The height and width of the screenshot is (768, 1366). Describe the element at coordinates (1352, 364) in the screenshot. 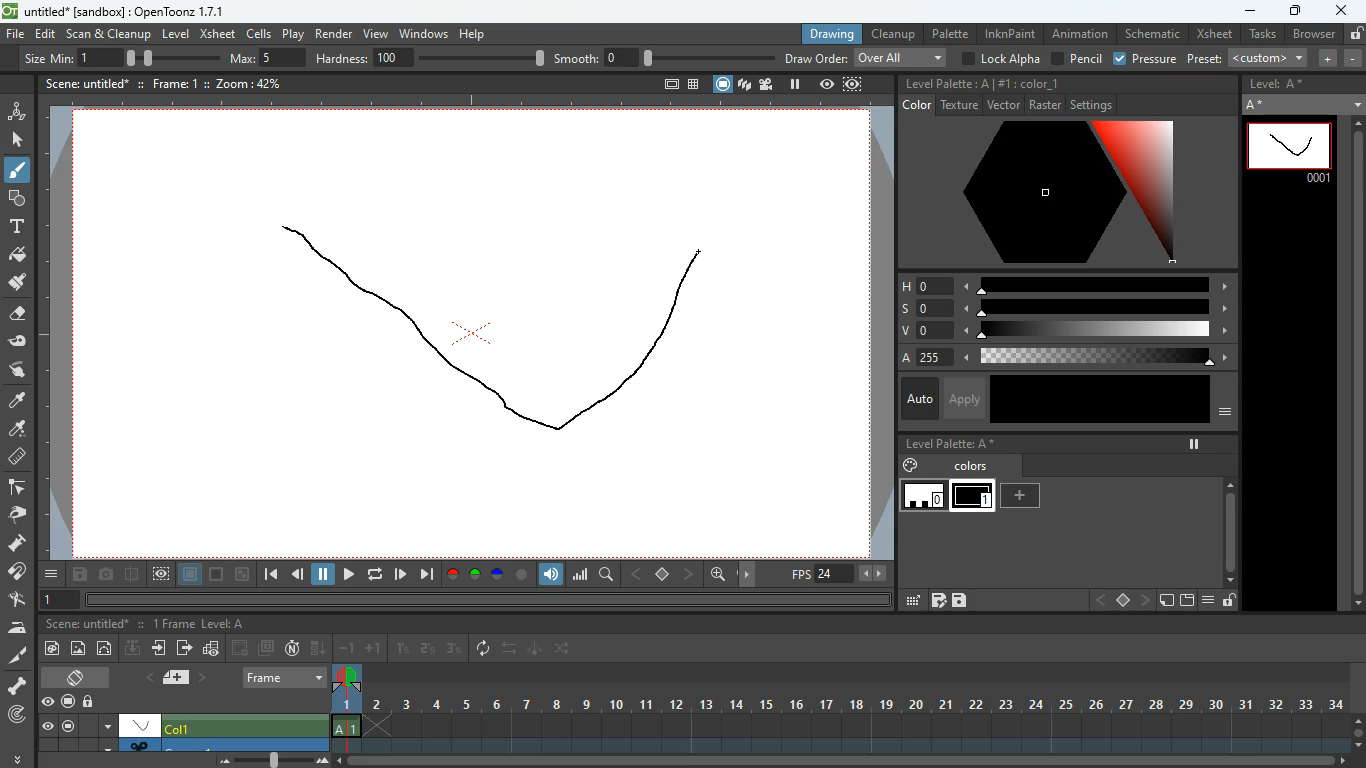

I see `scroll` at that location.